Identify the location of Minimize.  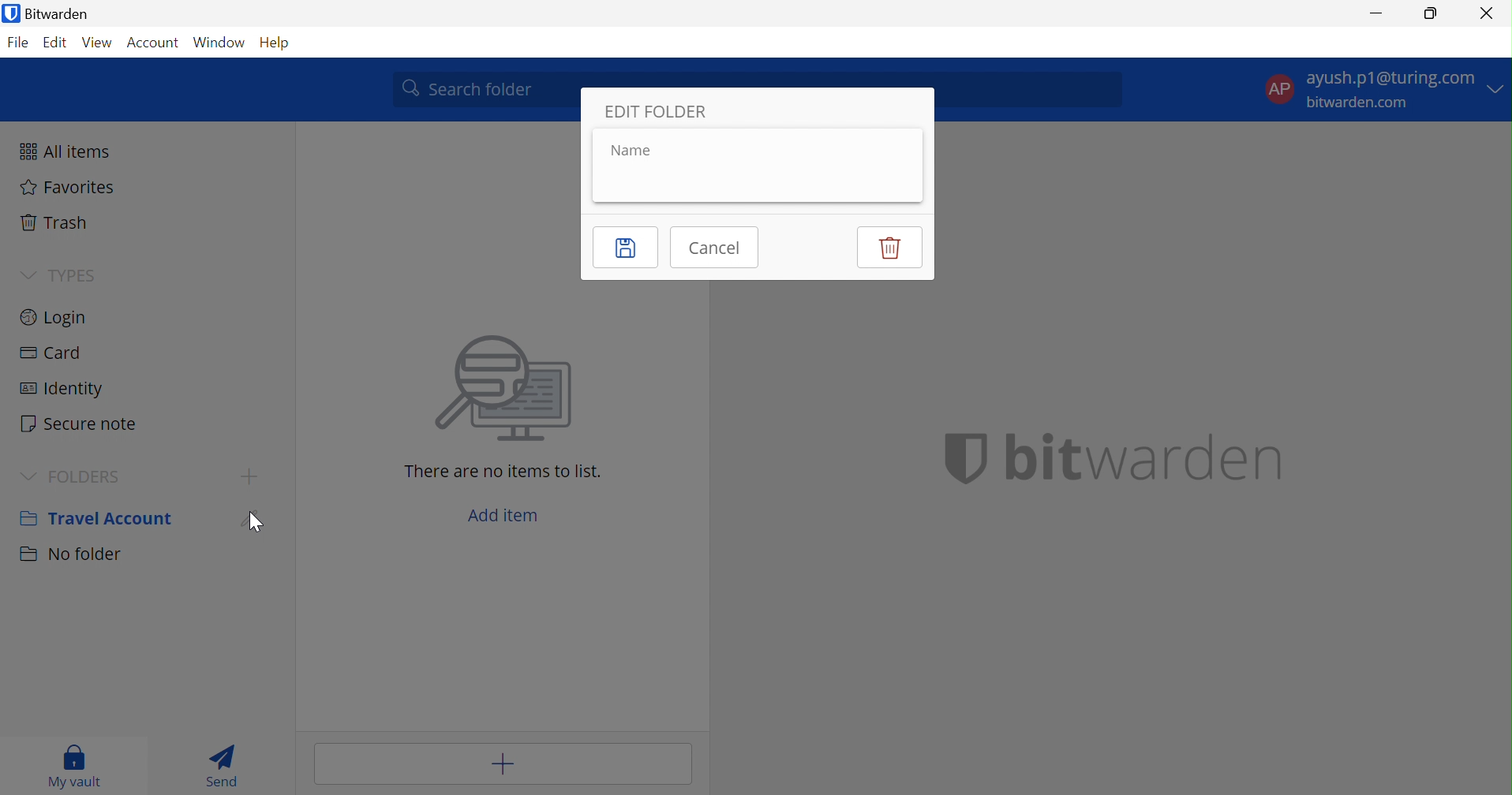
(1374, 15).